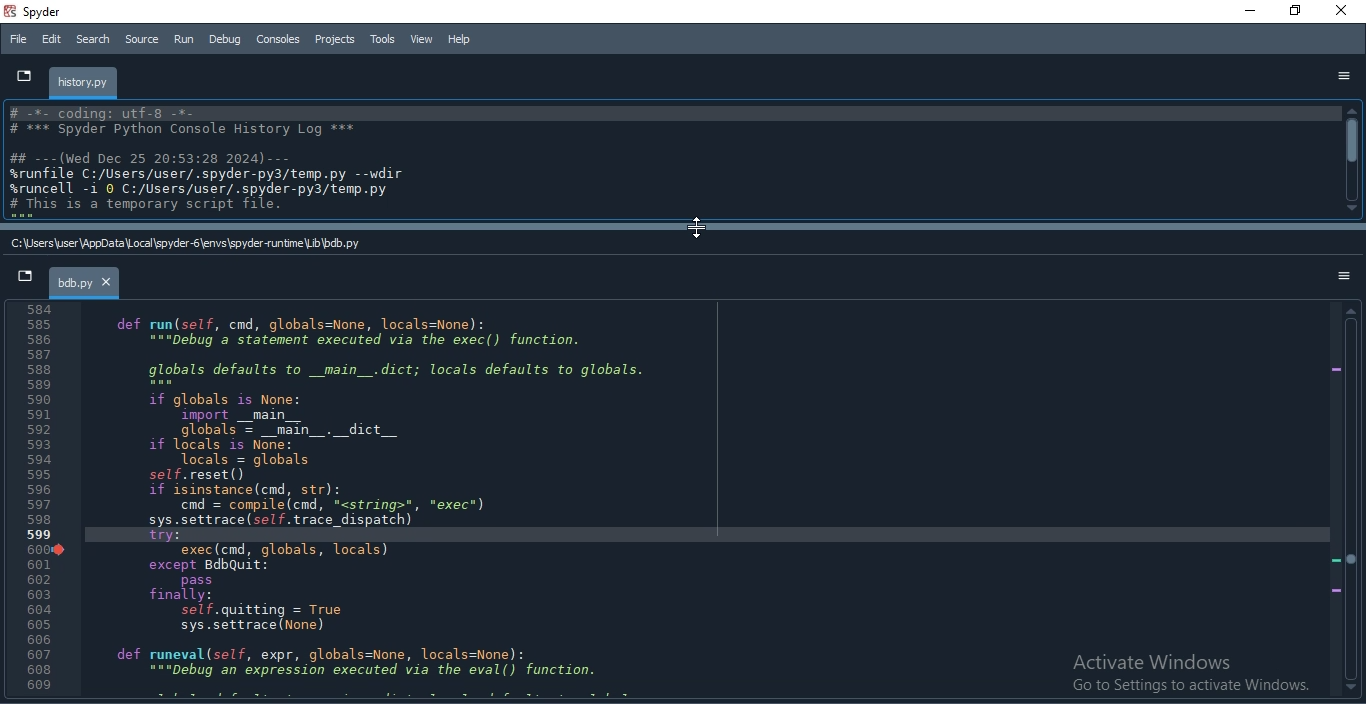 The image size is (1366, 704). I want to click on View, so click(420, 38).